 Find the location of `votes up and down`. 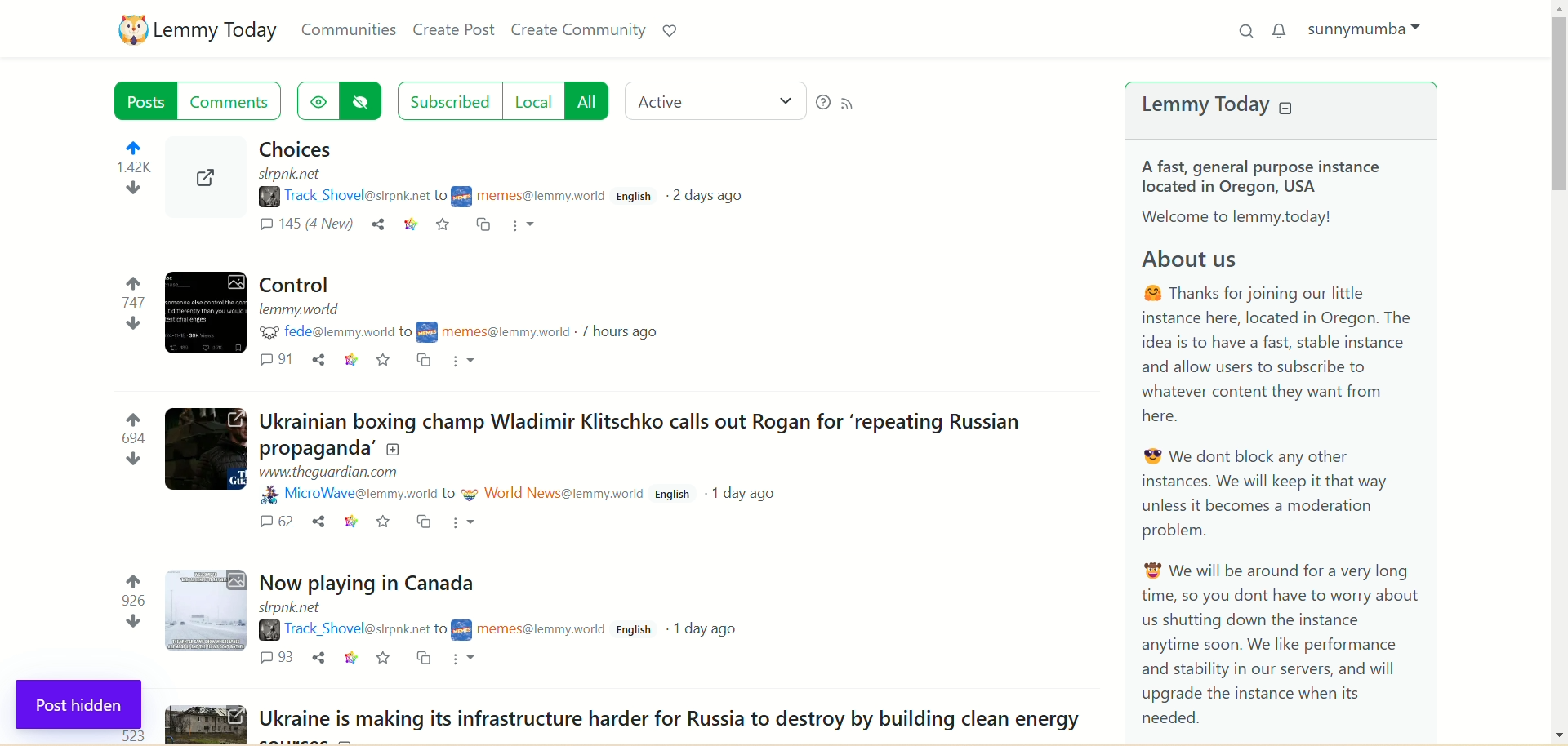

votes up and down is located at coordinates (115, 306).